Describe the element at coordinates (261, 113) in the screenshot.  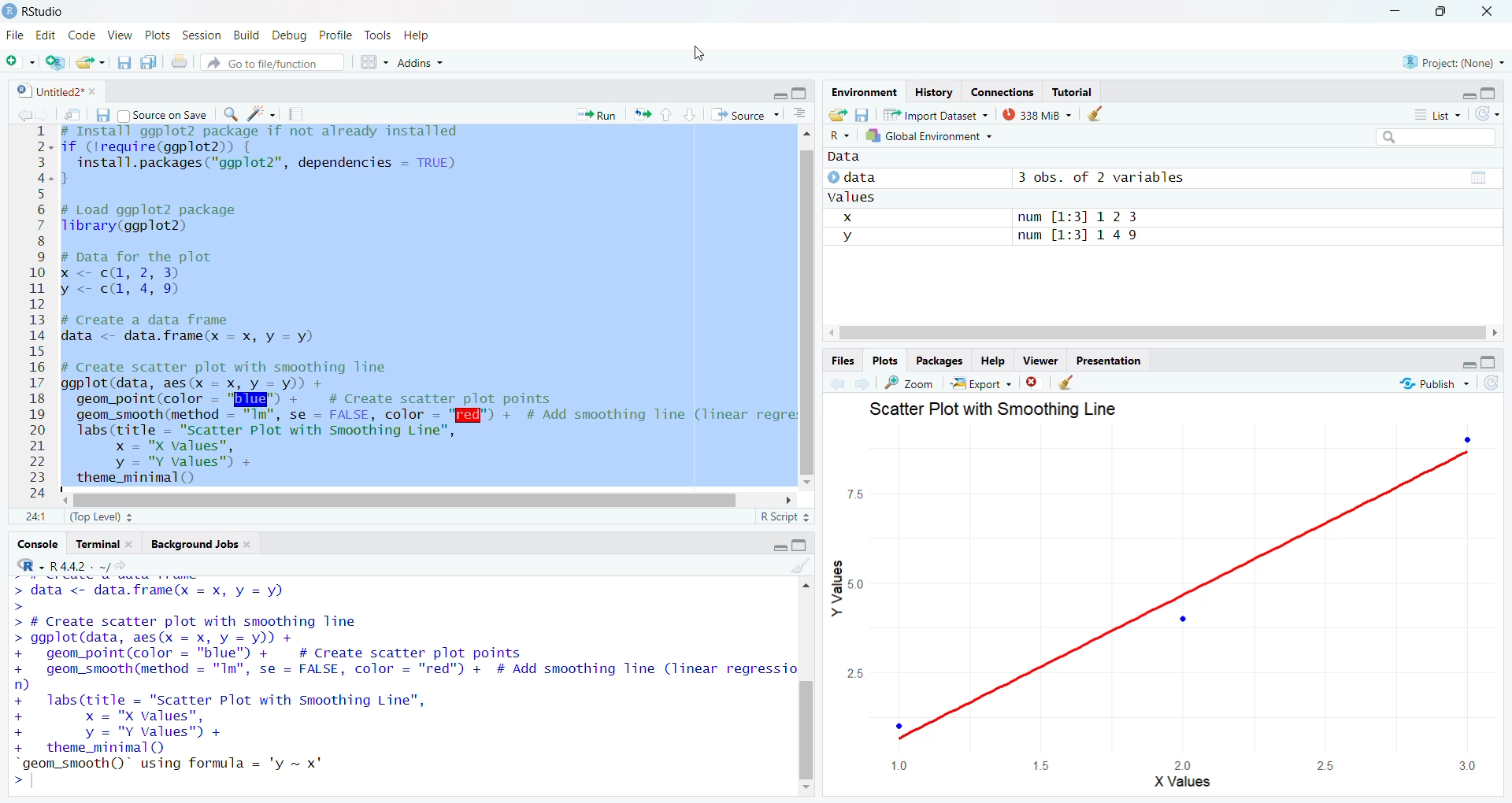
I see `code tools` at that location.